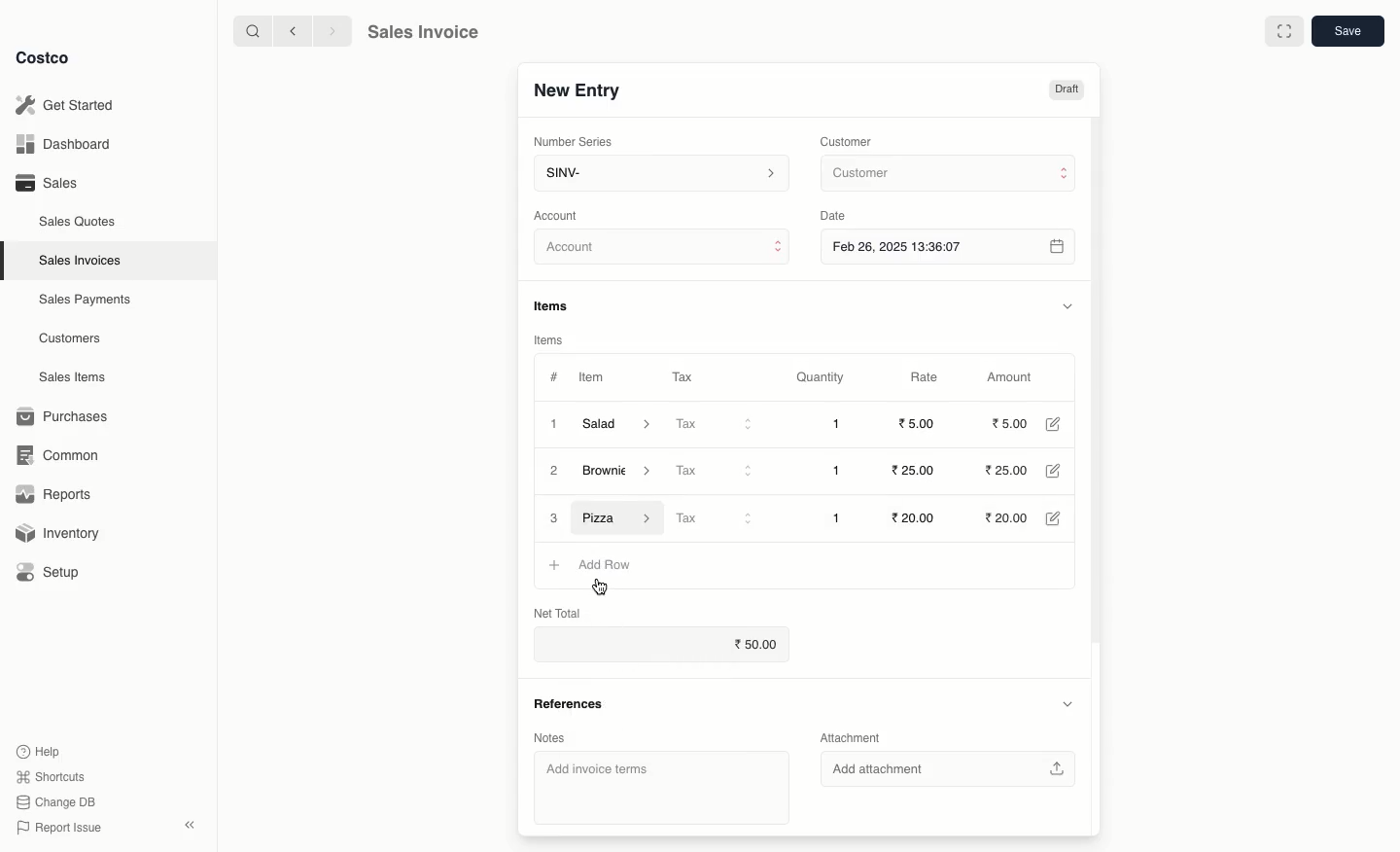  I want to click on Sales Payments., so click(87, 302).